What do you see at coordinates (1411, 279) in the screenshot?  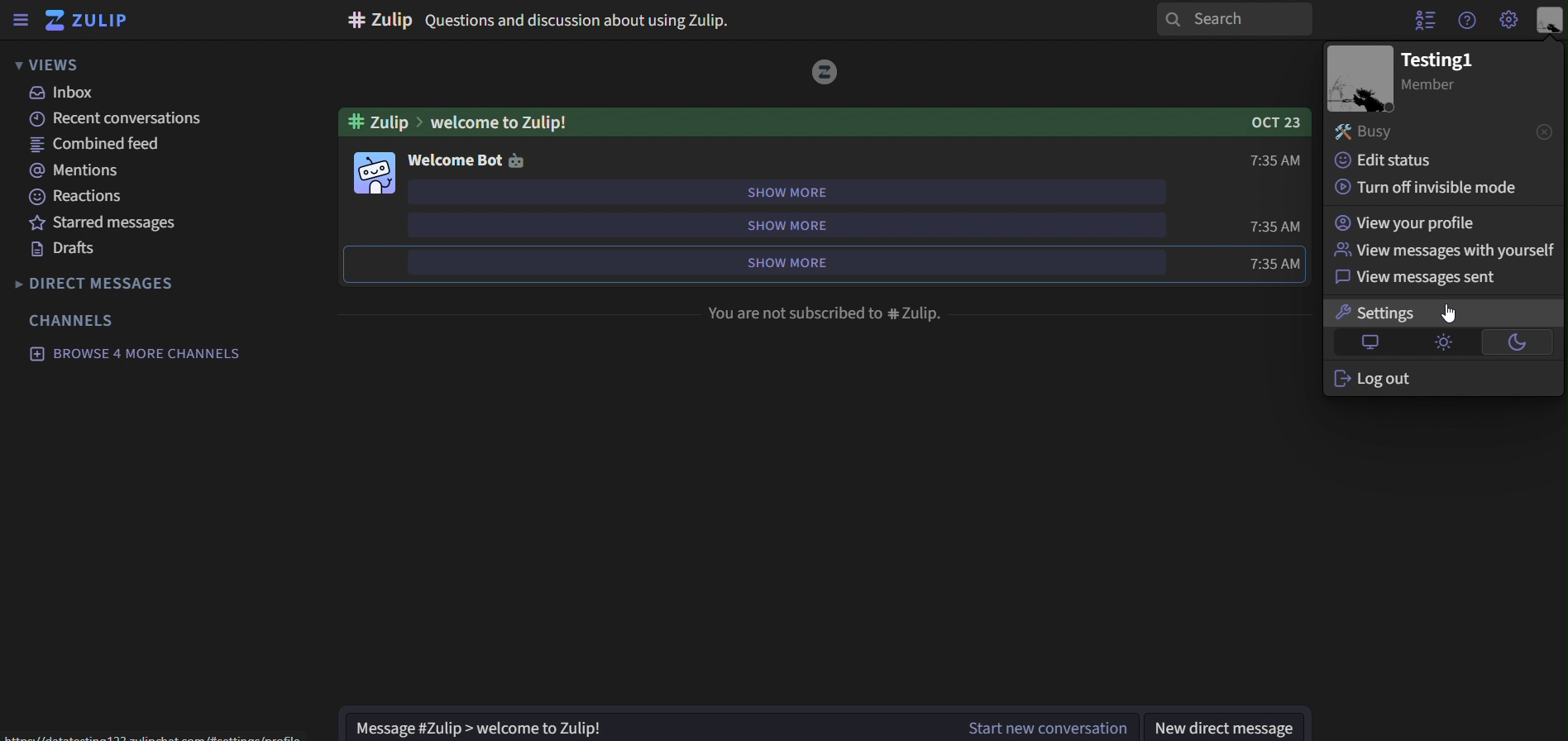 I see `view messages sent` at bounding box center [1411, 279].